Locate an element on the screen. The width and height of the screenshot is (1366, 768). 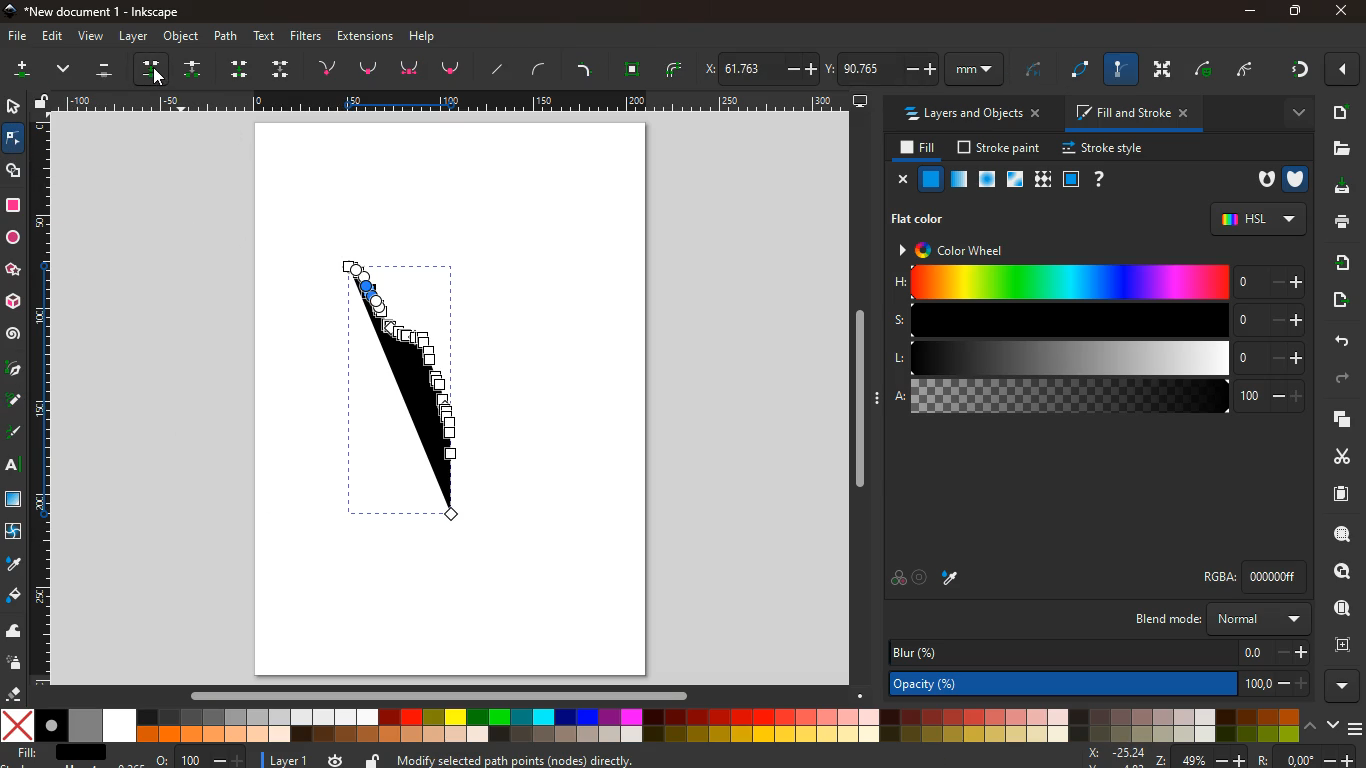
drop is located at coordinates (156, 68).